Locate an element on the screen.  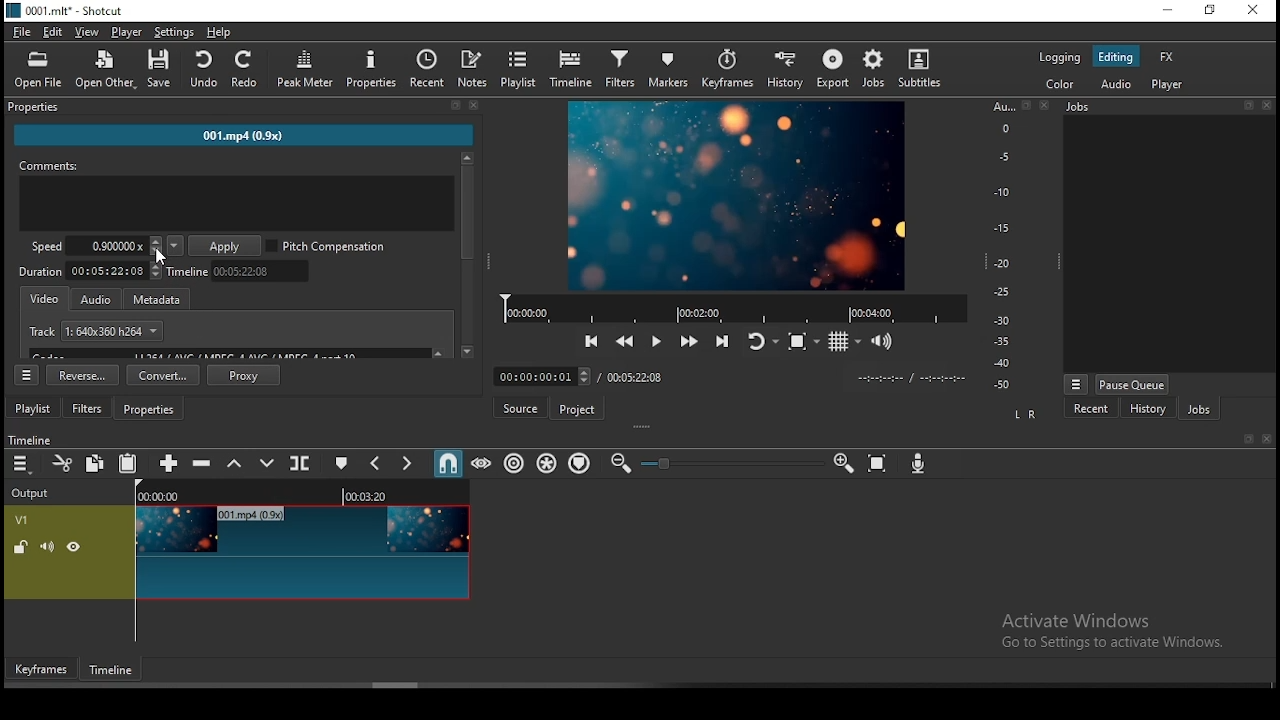
timeline settings is located at coordinates (26, 374).